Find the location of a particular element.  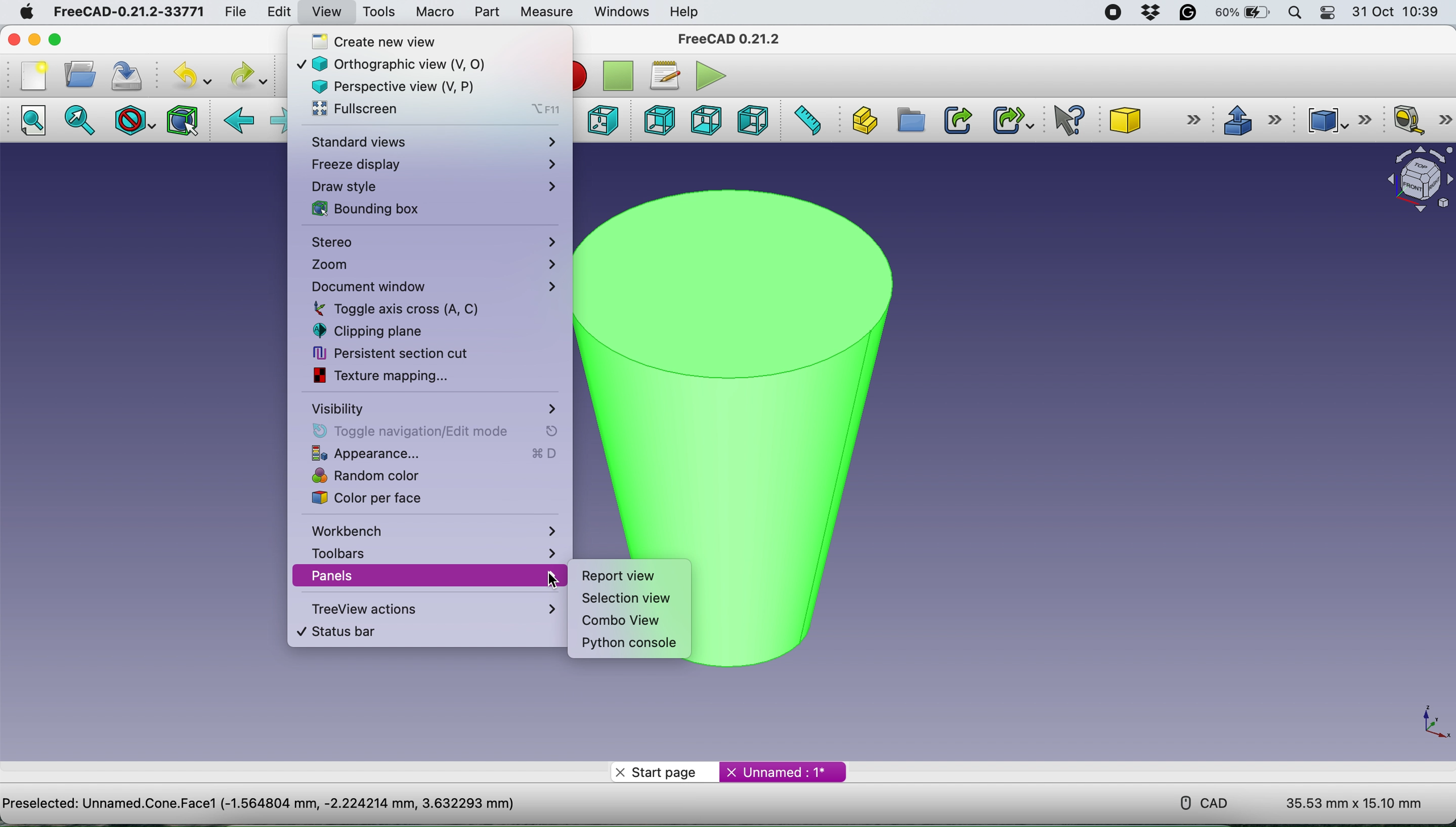

60% is located at coordinates (1242, 14).